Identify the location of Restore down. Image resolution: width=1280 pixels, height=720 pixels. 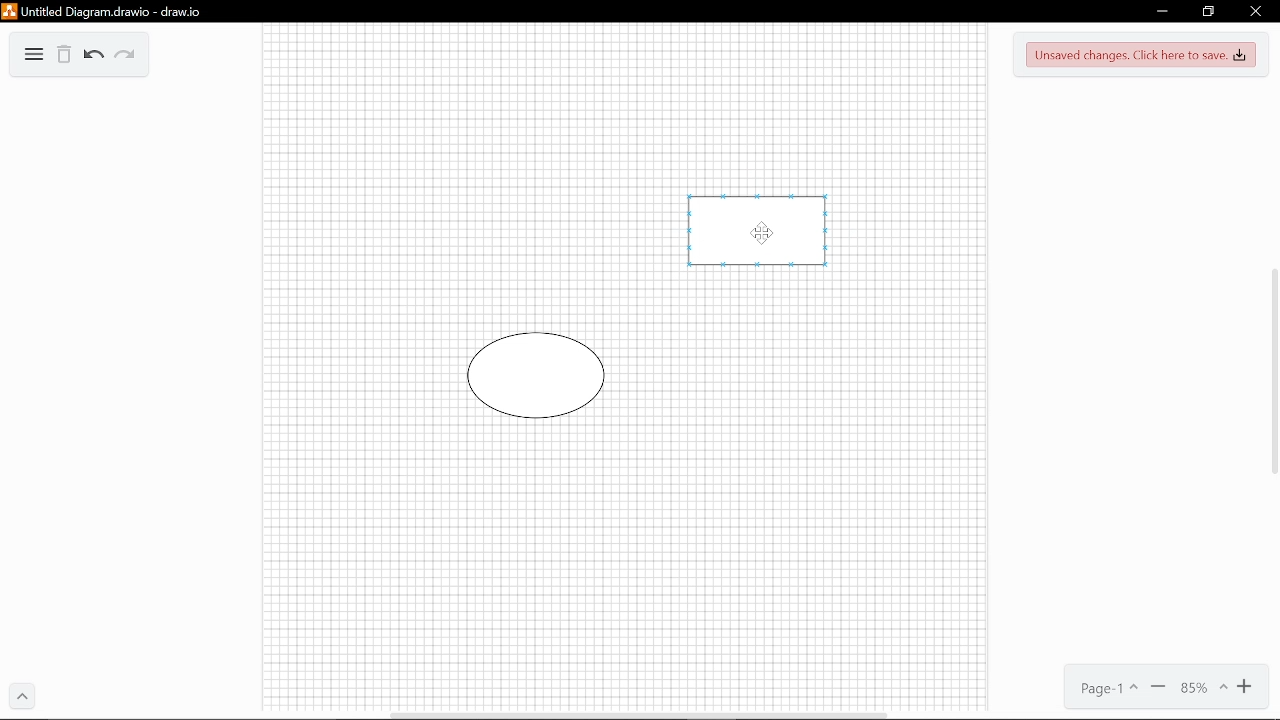
(1208, 12).